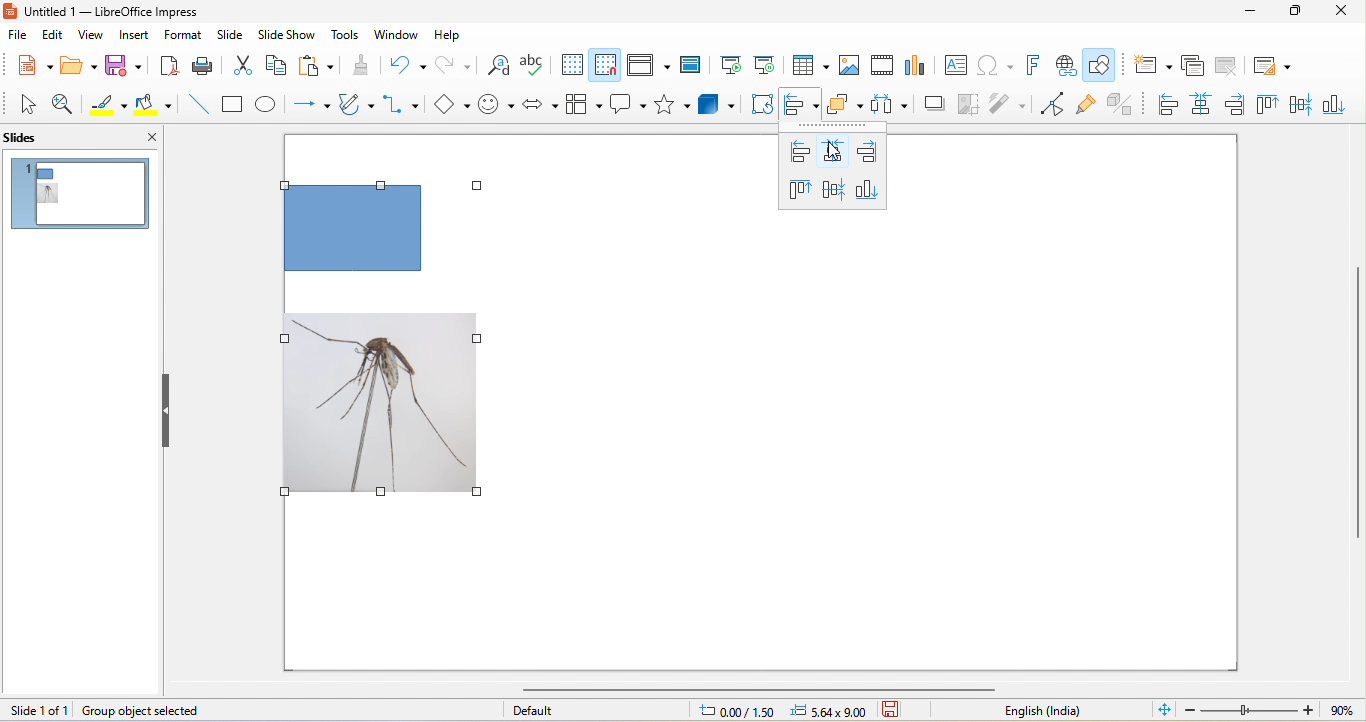  What do you see at coordinates (1201, 105) in the screenshot?
I see `centred` at bounding box center [1201, 105].